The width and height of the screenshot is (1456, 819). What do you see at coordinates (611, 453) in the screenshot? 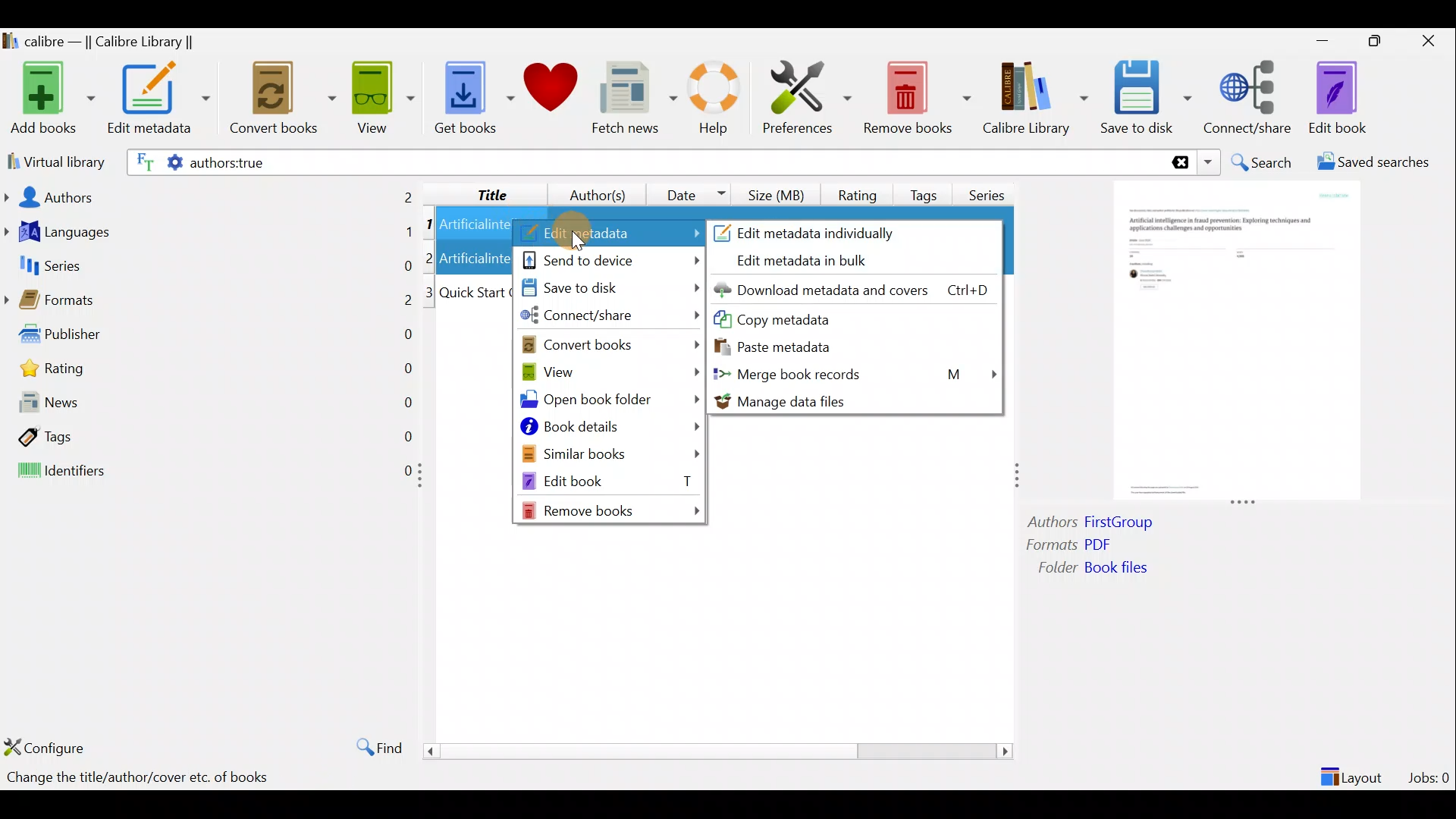
I see `Similar books` at bounding box center [611, 453].